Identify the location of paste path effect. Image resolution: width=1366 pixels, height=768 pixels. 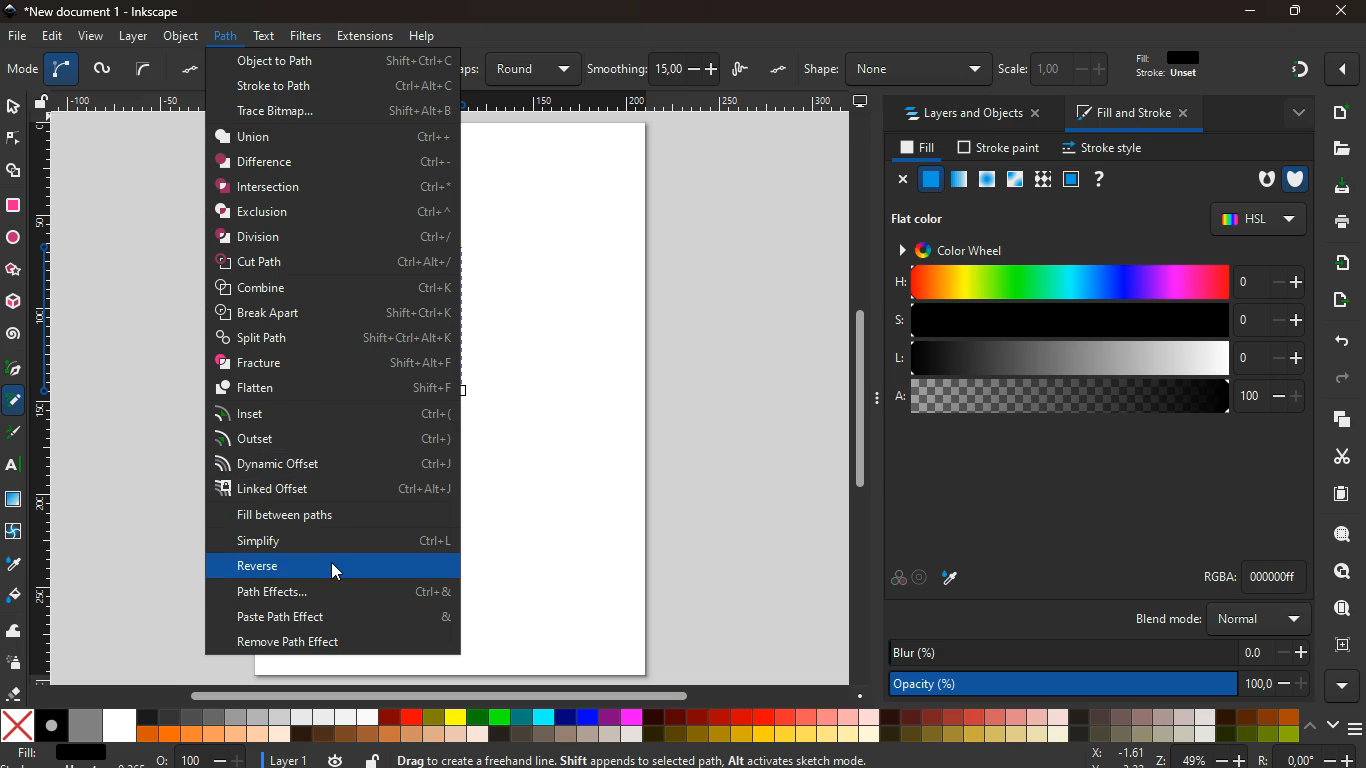
(340, 617).